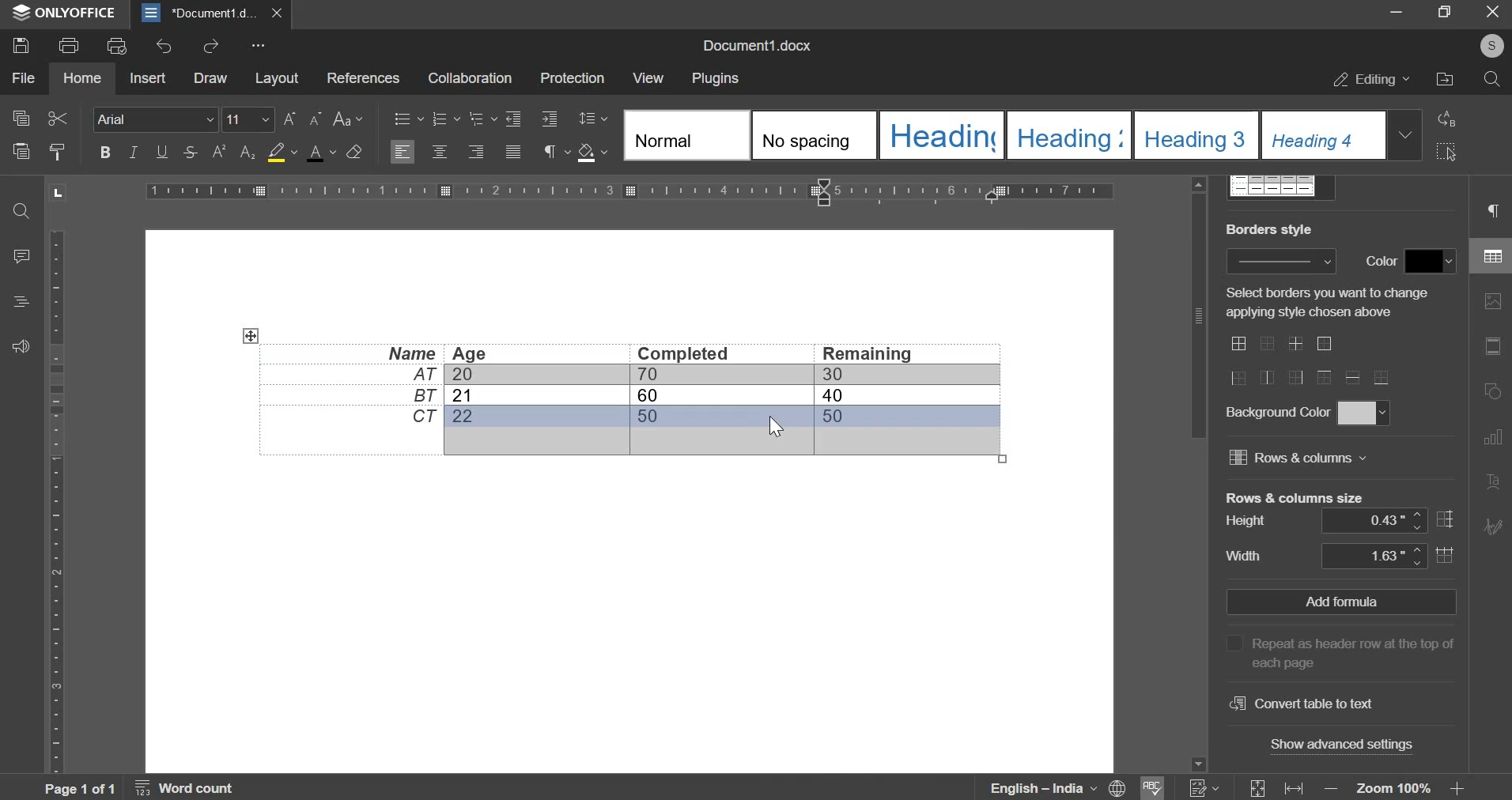 Image resolution: width=1512 pixels, height=800 pixels. I want to click on view, so click(647, 77).